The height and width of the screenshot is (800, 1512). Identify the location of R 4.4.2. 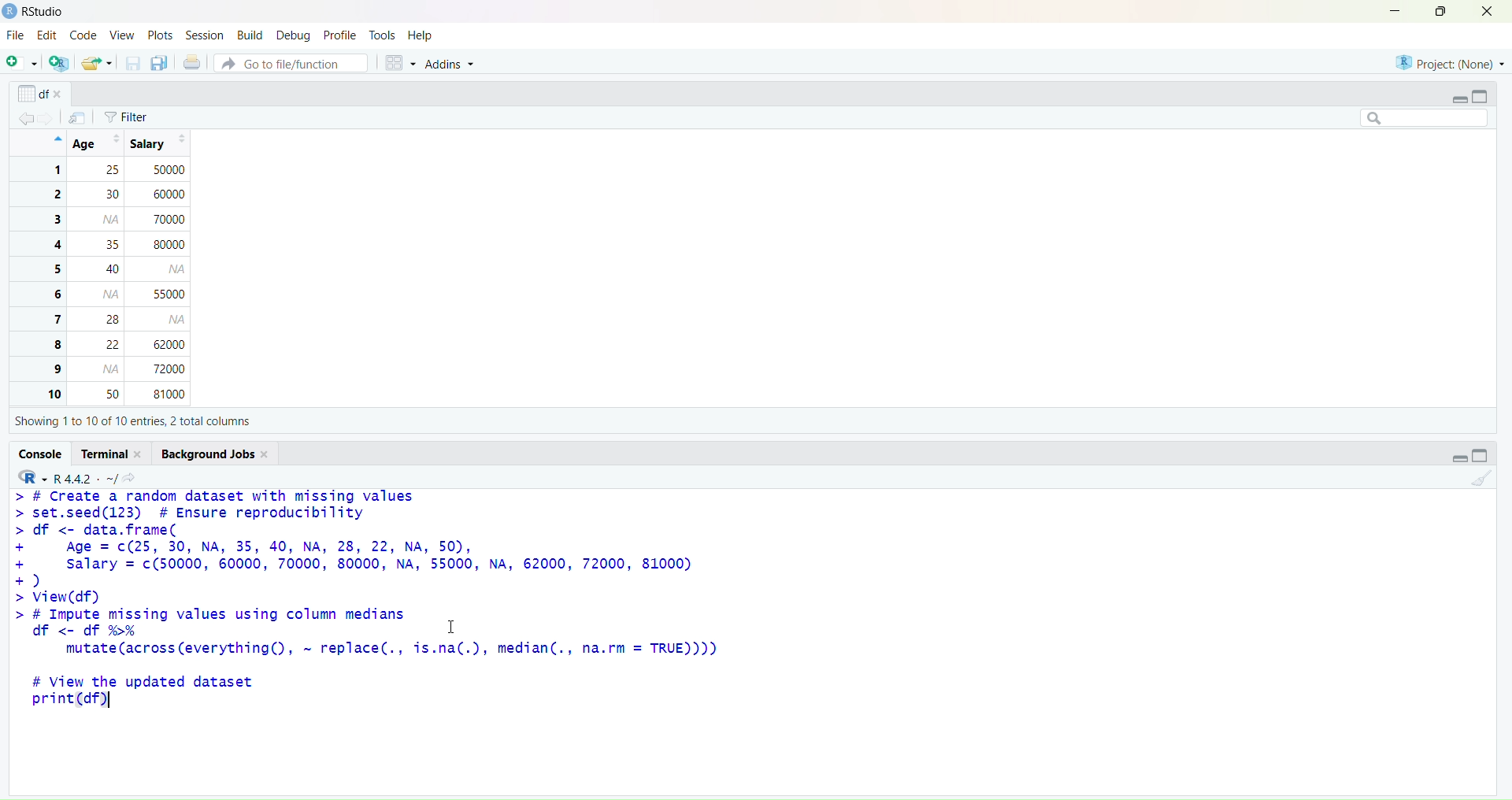
(65, 476).